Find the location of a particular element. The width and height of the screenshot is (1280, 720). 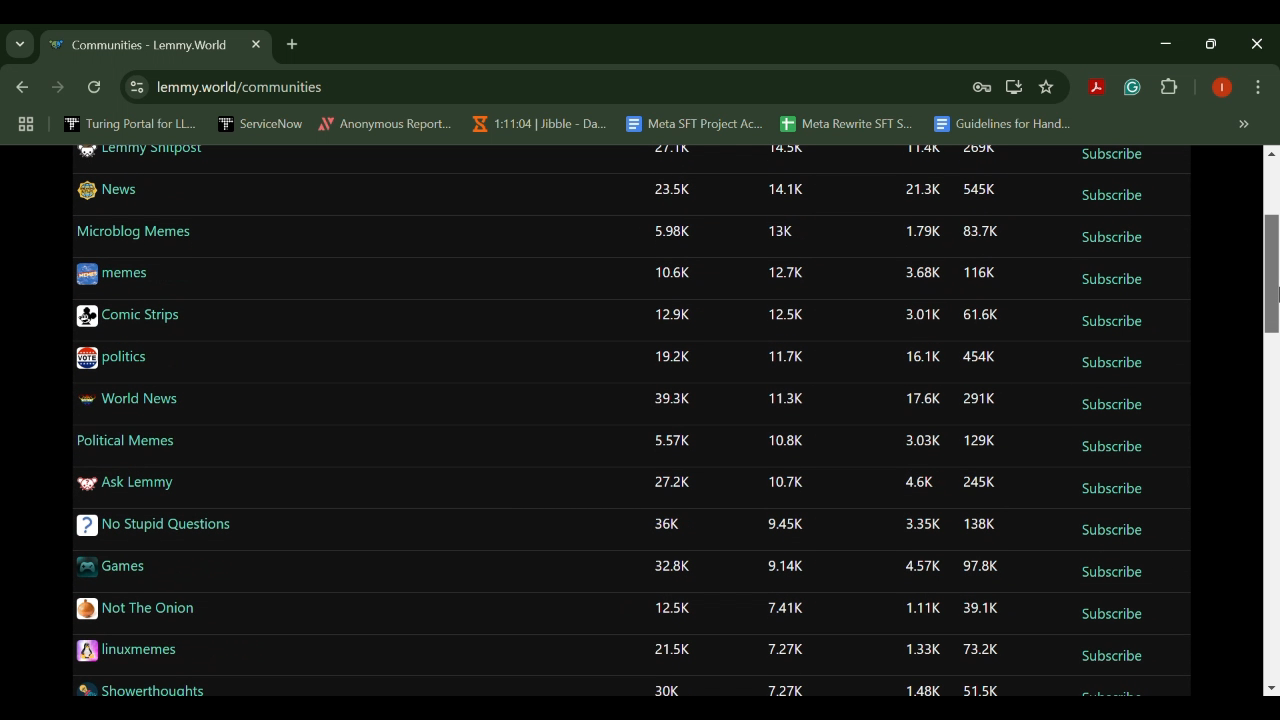

61.6K is located at coordinates (982, 314).